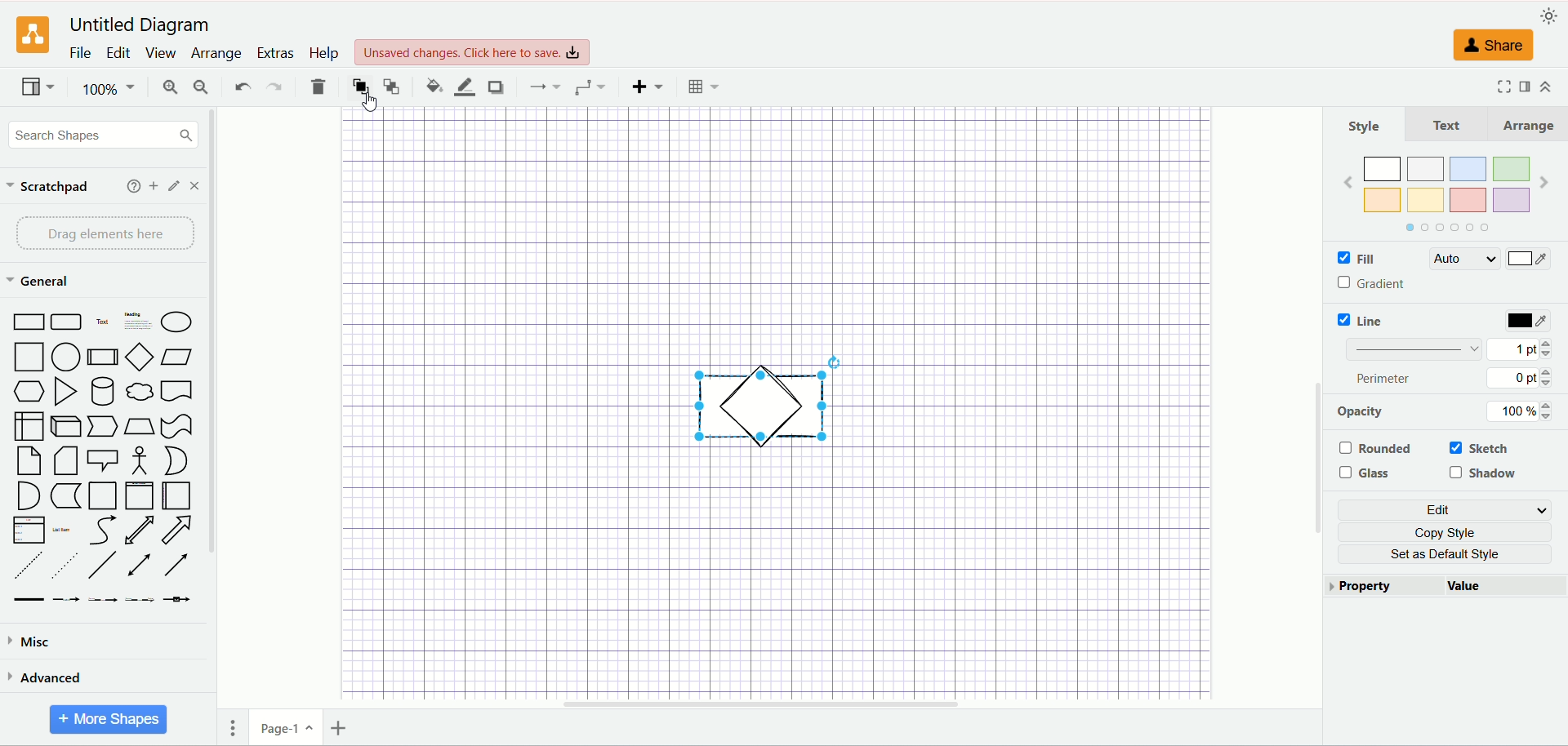 This screenshot has width=1568, height=746. I want to click on dashed line, so click(23, 564).